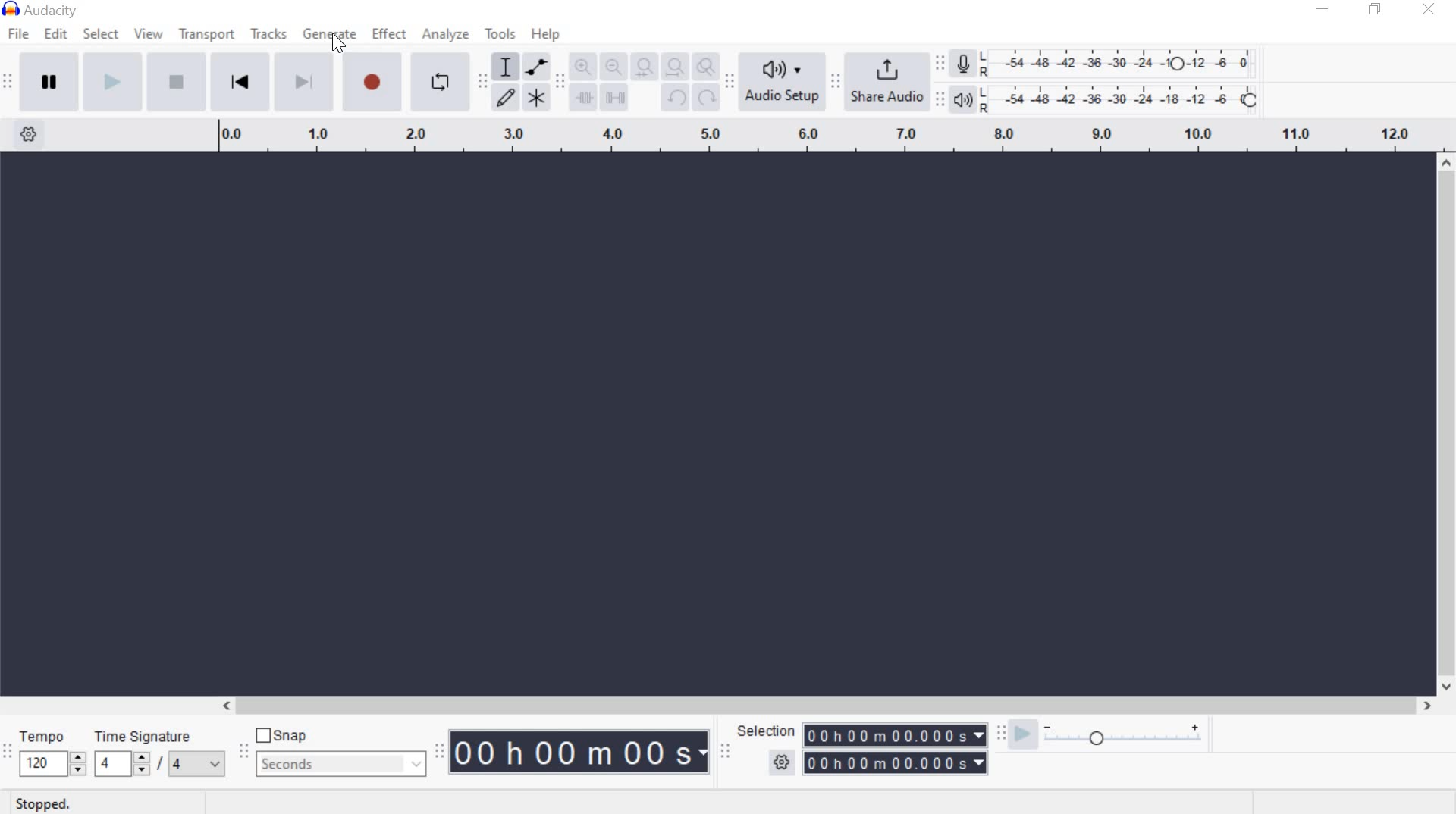  What do you see at coordinates (38, 805) in the screenshot?
I see `stopped` at bounding box center [38, 805].